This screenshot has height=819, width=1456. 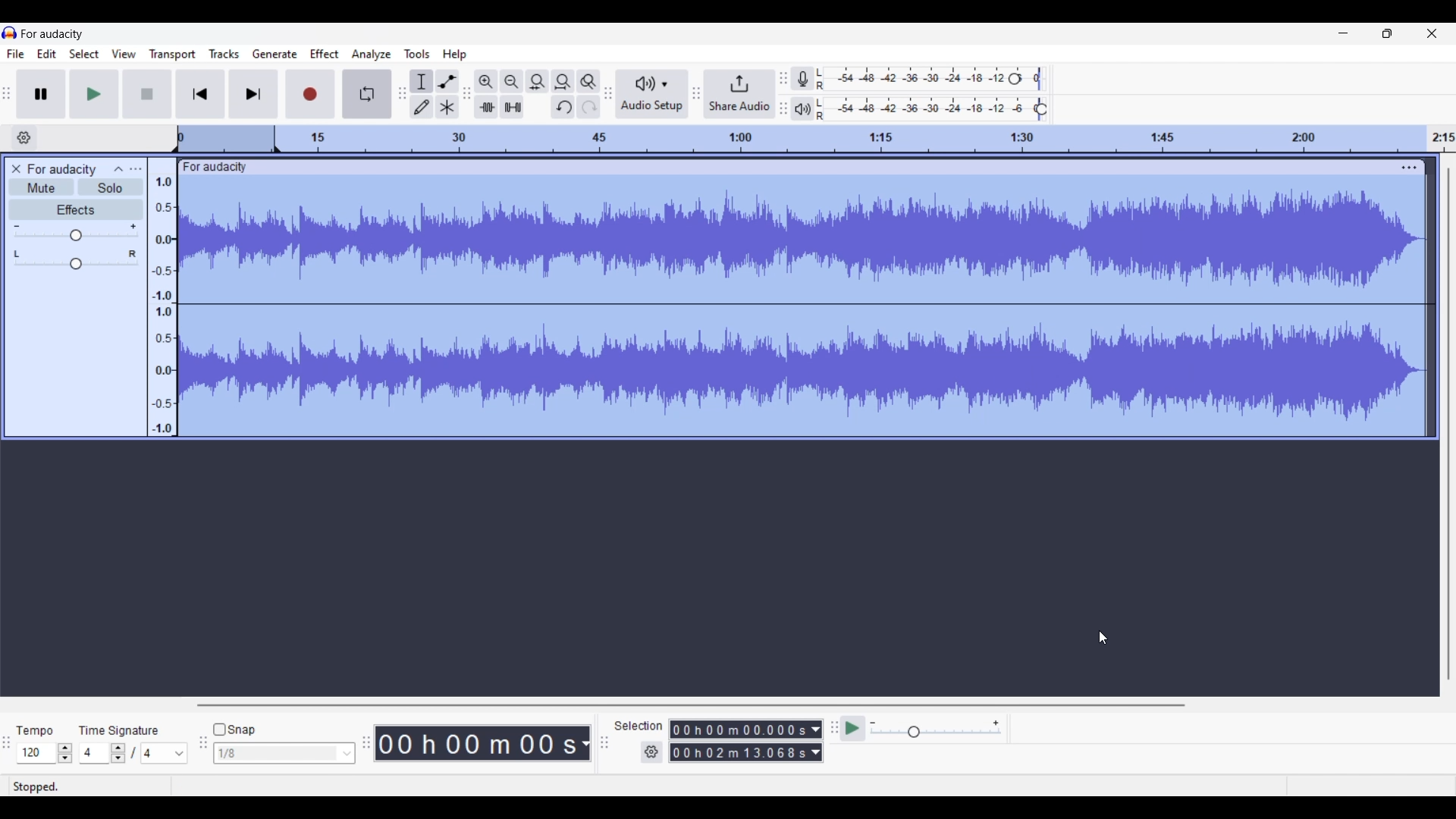 I want to click on Record/Record new track, so click(x=311, y=94).